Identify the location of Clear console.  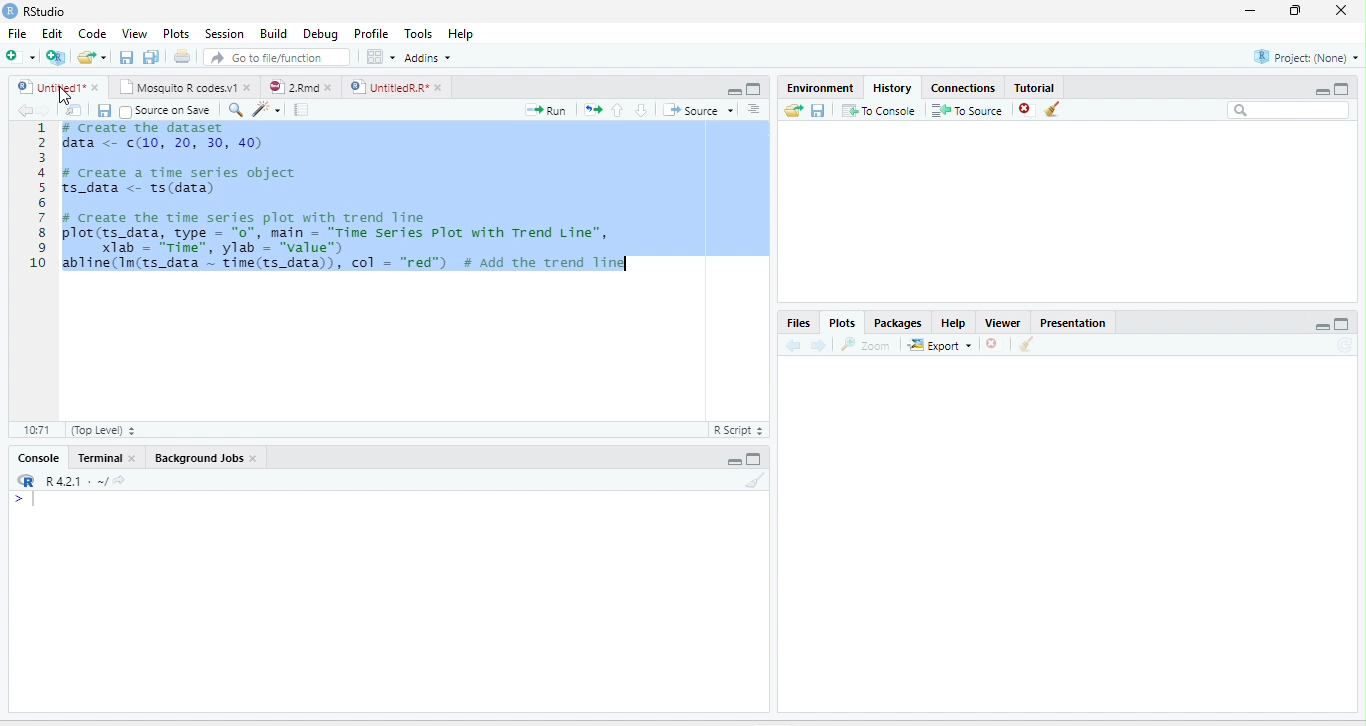
(756, 480).